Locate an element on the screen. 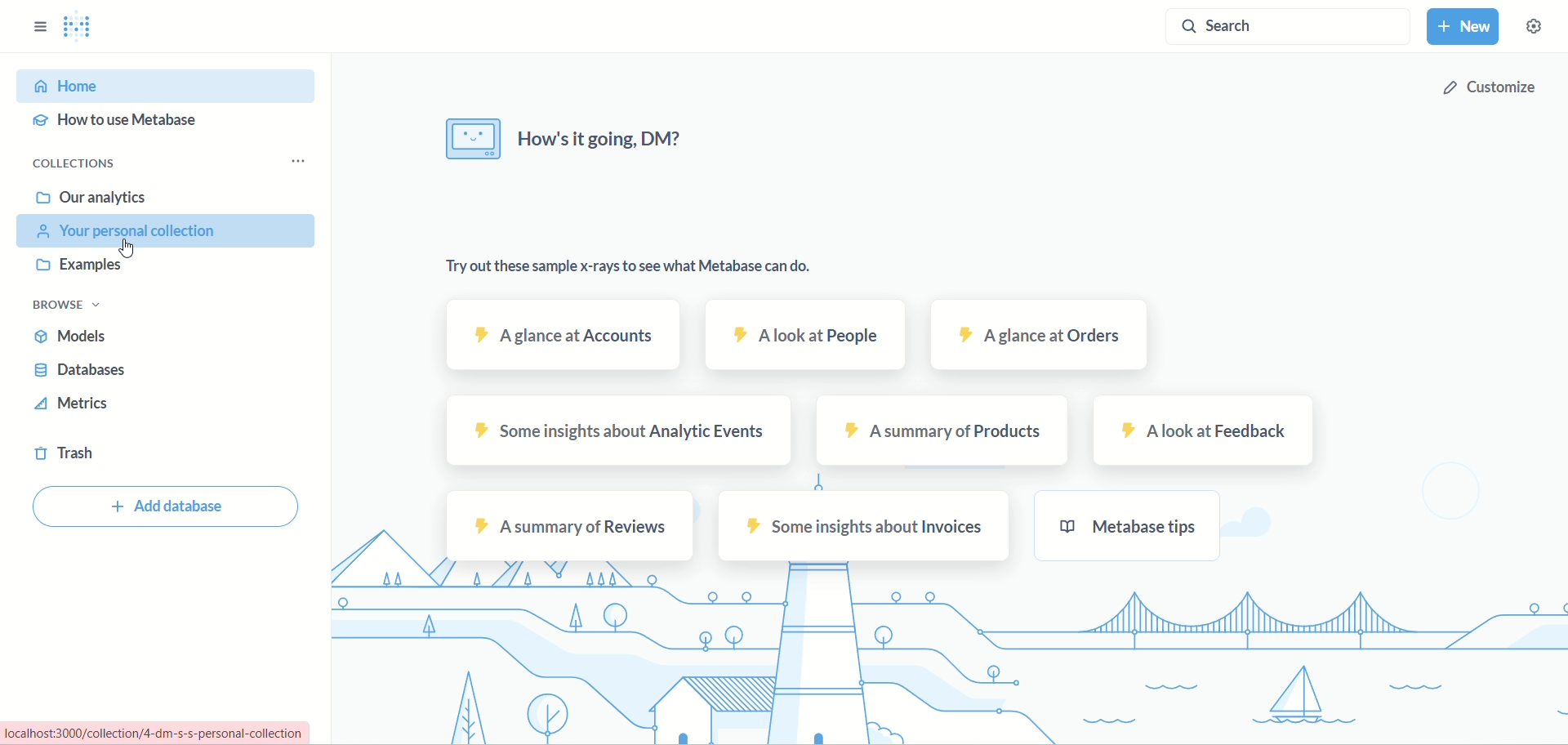 Image resolution: width=1568 pixels, height=745 pixels. metabase tips is located at coordinates (1130, 526).